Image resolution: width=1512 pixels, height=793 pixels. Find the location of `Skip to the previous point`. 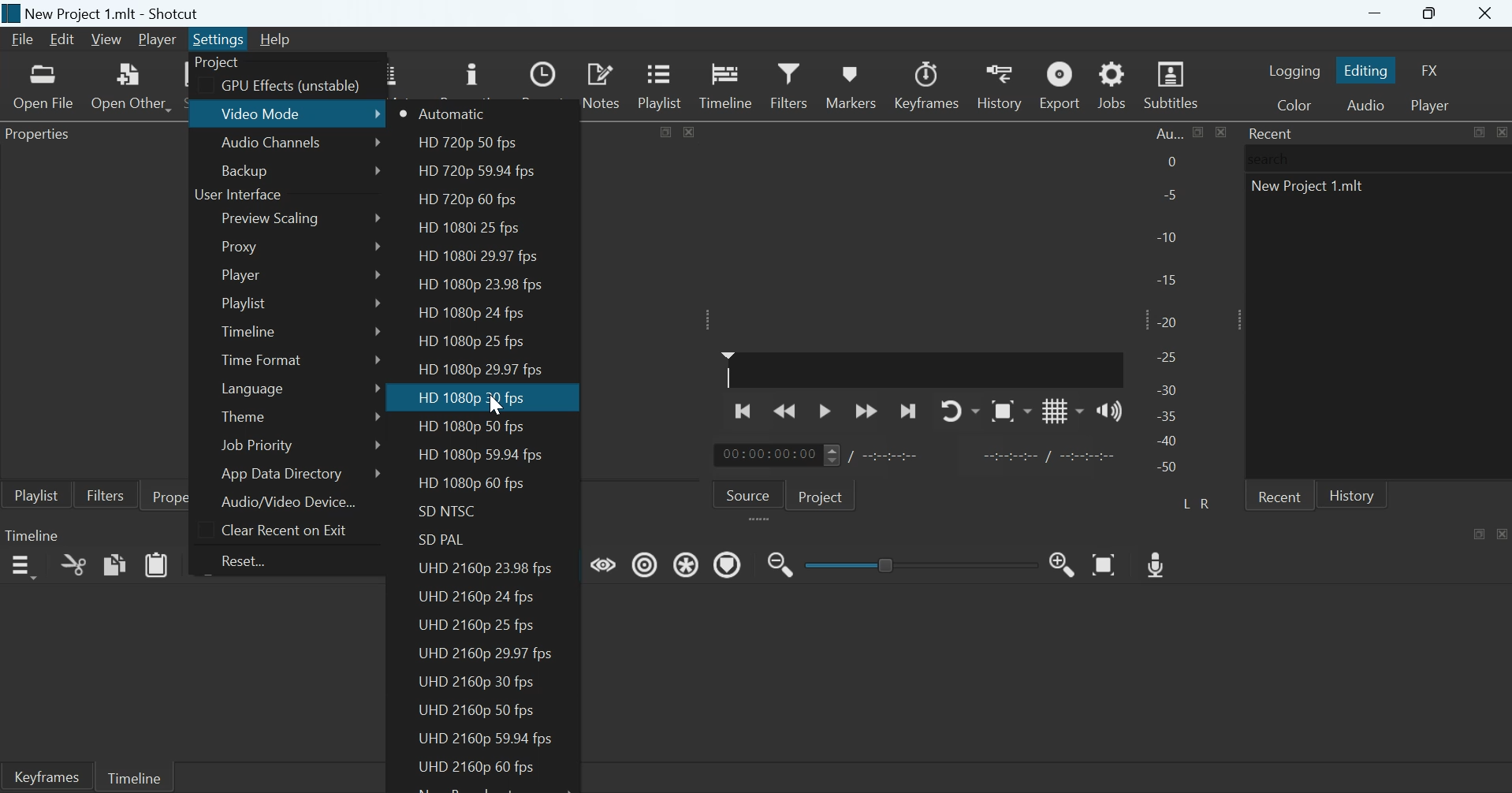

Skip to the previous point is located at coordinates (745, 409).